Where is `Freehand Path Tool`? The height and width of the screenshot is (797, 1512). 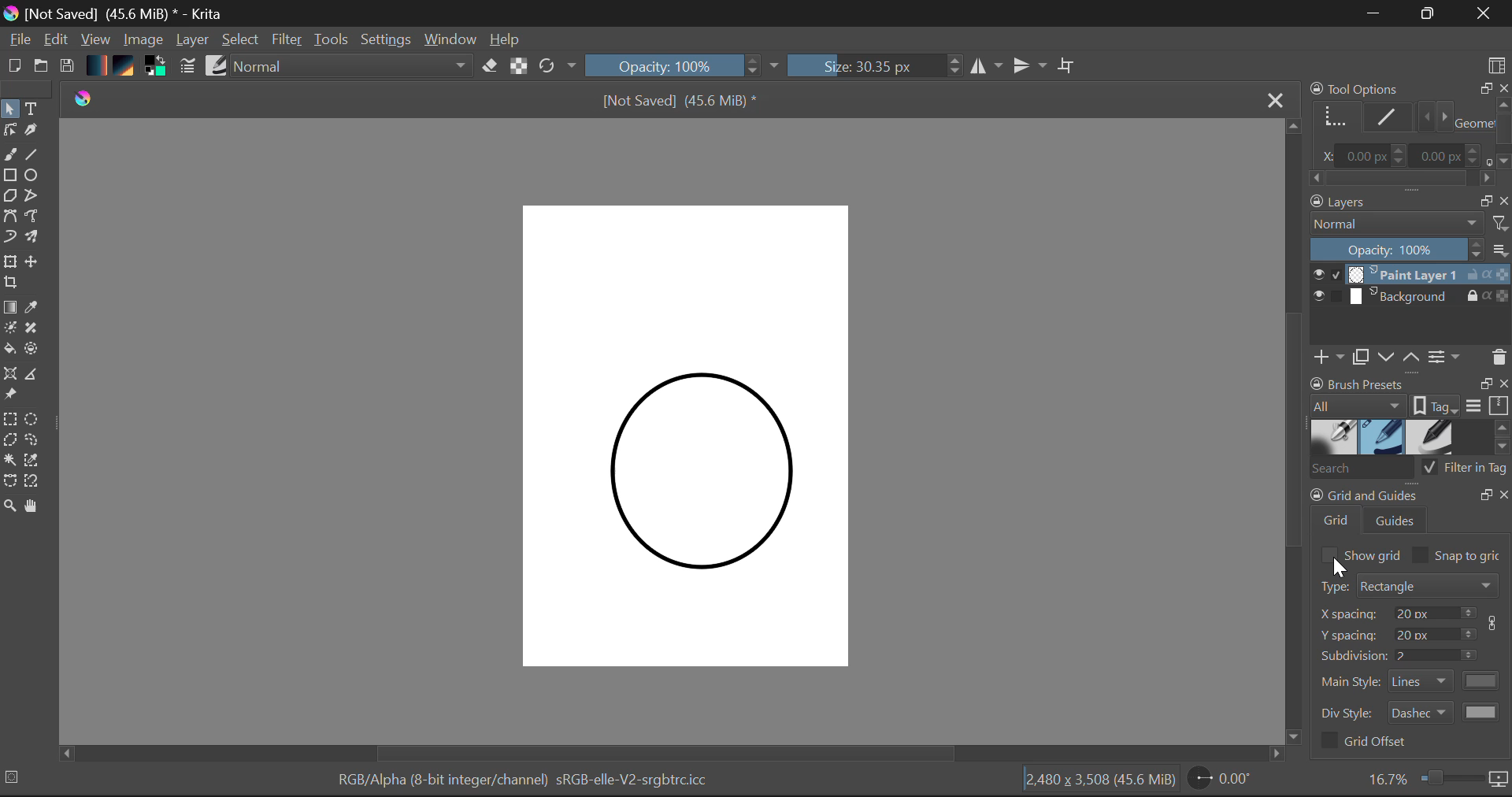 Freehand Path Tool is located at coordinates (38, 218).